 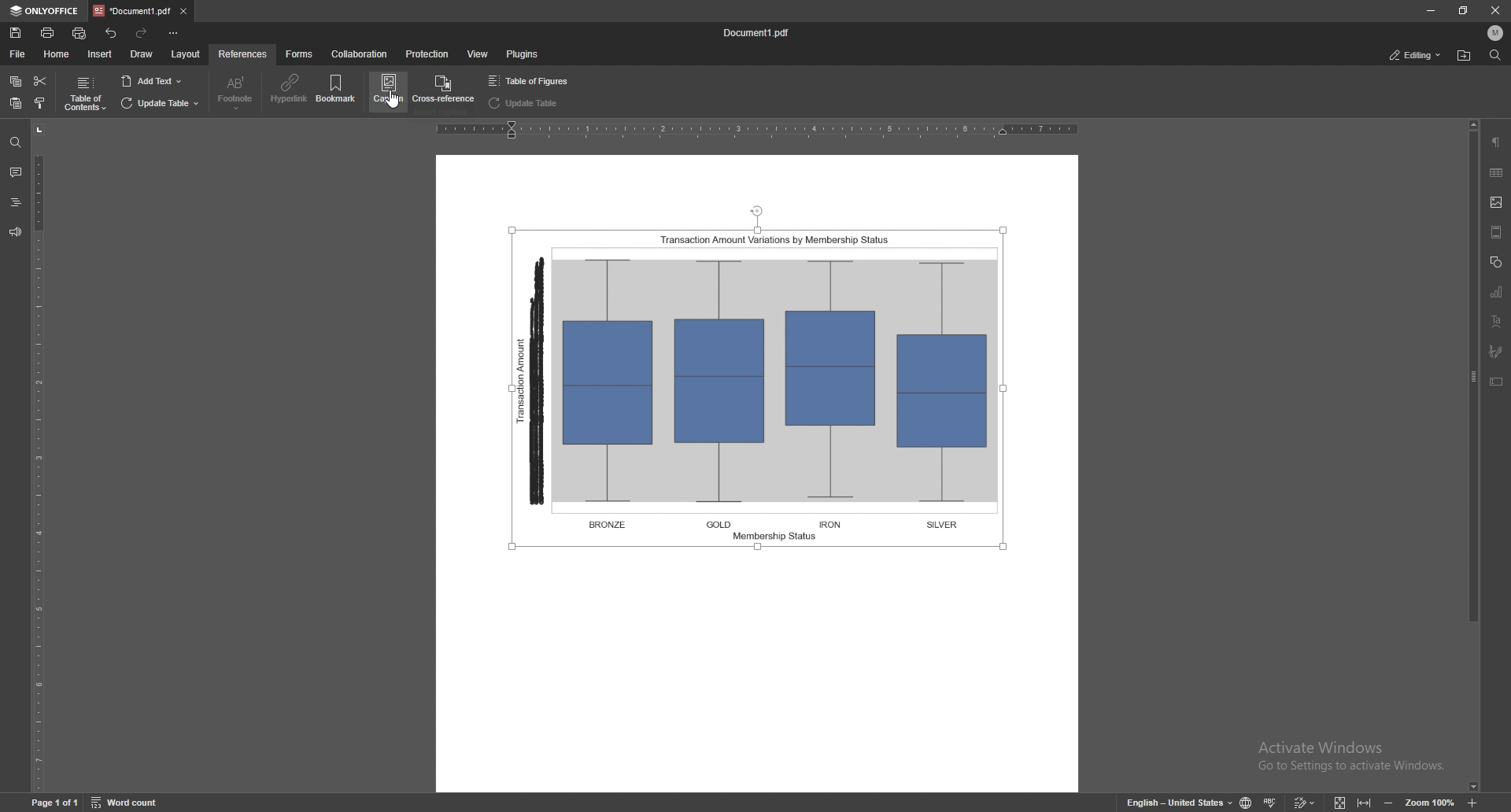 I want to click on update table, so click(x=526, y=103).